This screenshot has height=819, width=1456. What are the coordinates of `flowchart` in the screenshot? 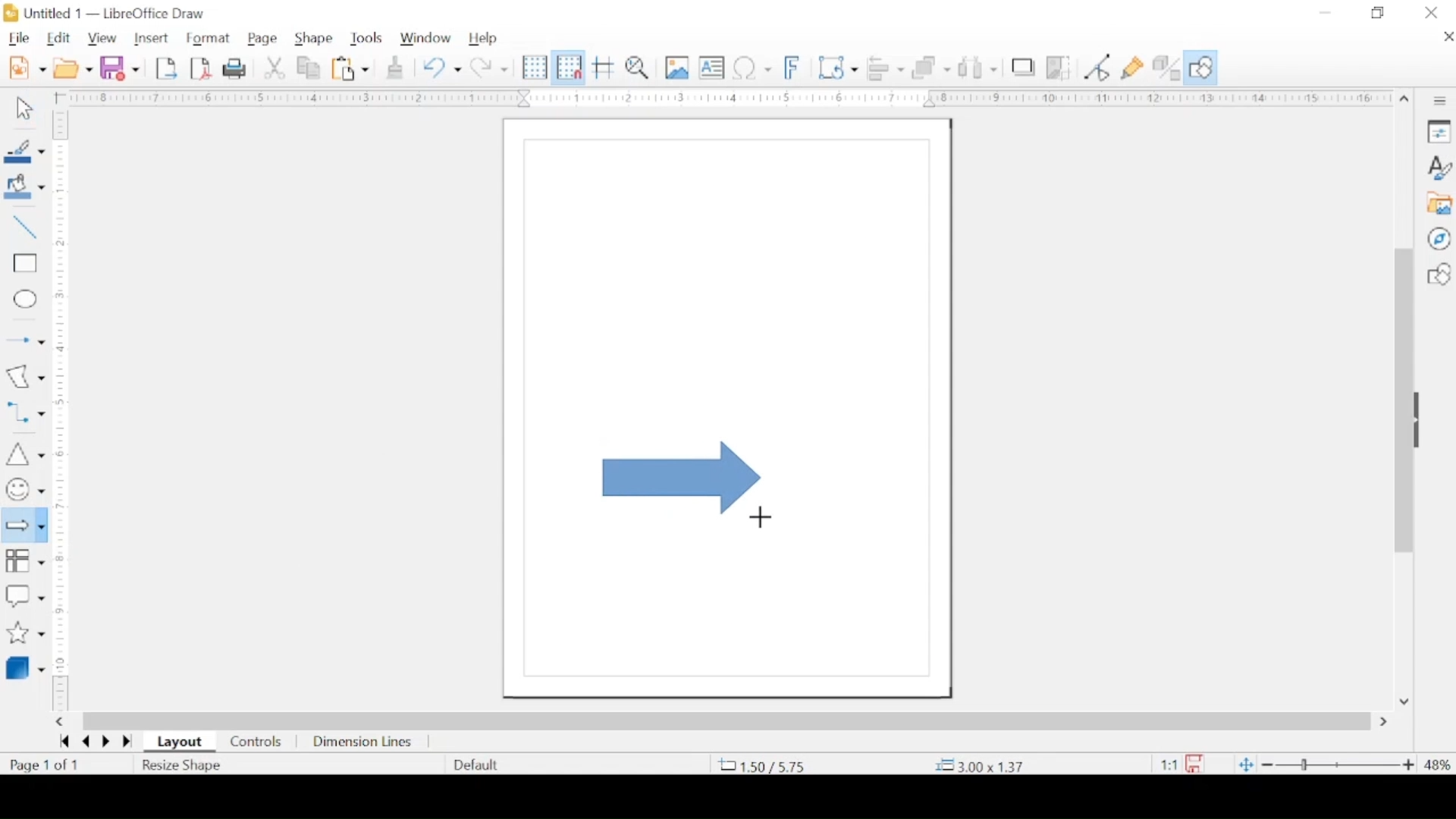 It's located at (25, 563).